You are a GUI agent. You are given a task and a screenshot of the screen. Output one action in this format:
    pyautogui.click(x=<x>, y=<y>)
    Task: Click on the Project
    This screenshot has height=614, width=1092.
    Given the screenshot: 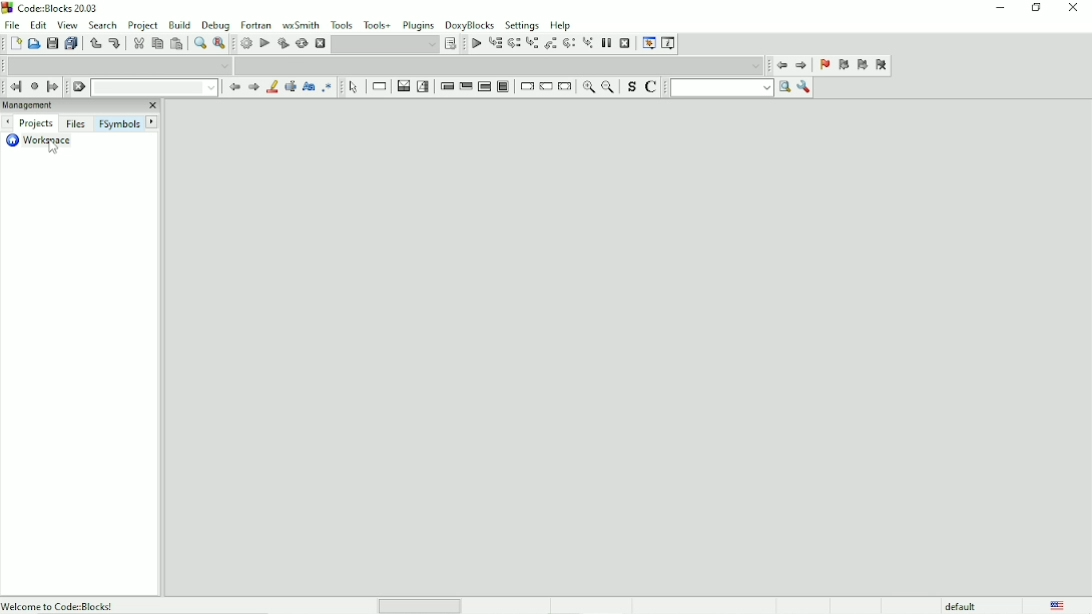 What is the action you would take?
    pyautogui.click(x=144, y=25)
    